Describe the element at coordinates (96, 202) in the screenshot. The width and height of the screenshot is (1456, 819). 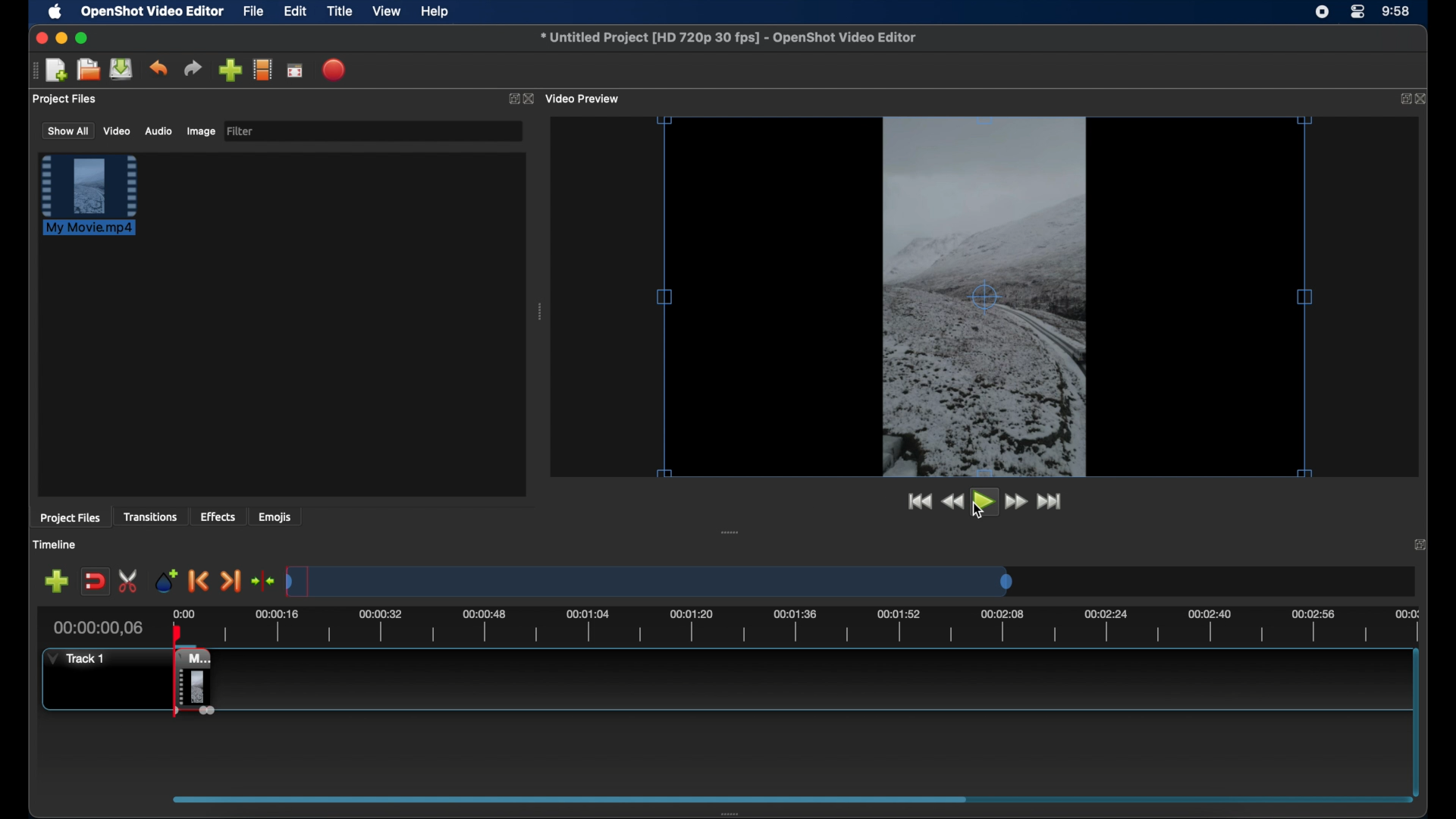
I see `clip highlighted` at that location.